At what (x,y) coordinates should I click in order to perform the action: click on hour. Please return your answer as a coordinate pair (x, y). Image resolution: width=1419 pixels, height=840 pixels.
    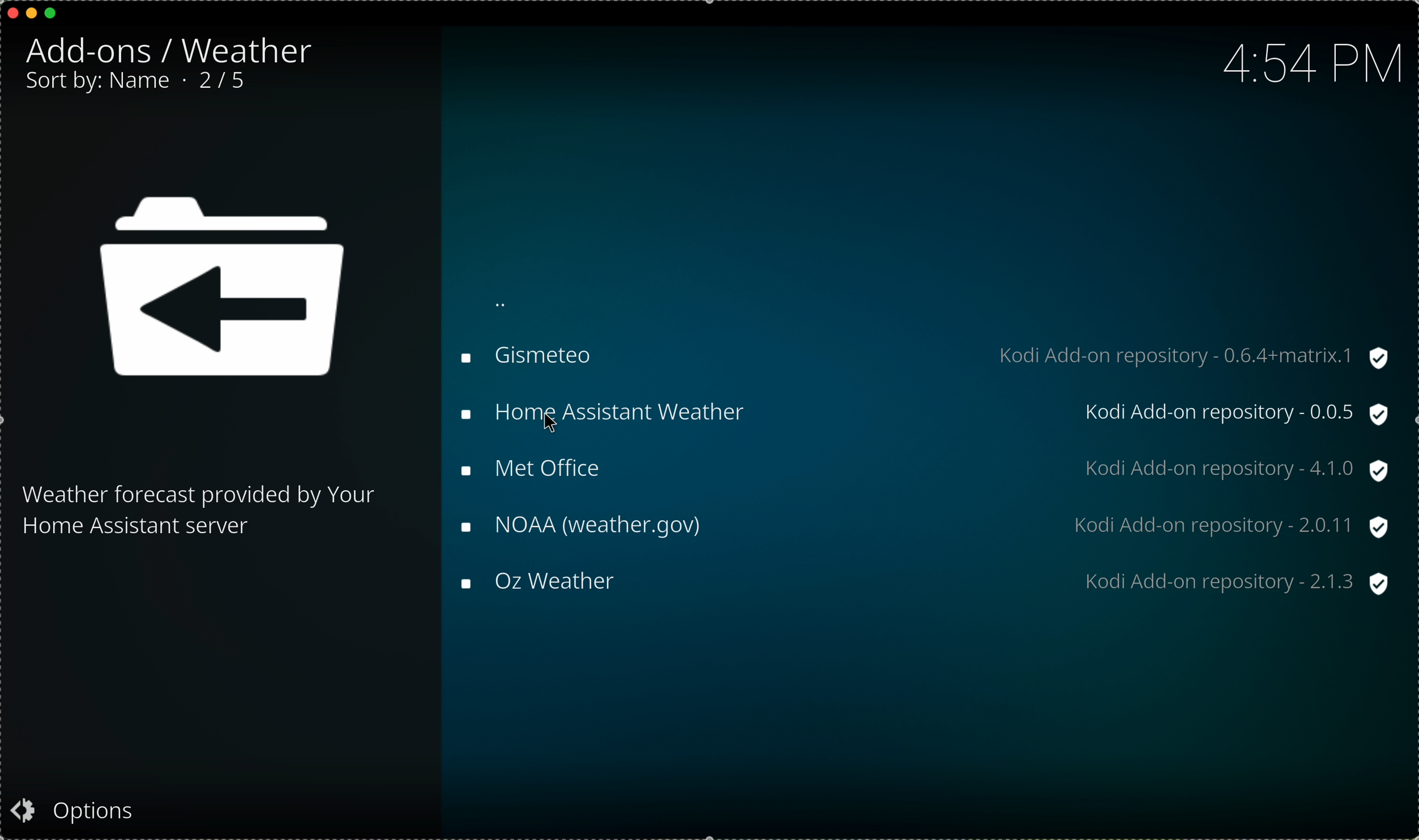
    Looking at the image, I should click on (1310, 61).